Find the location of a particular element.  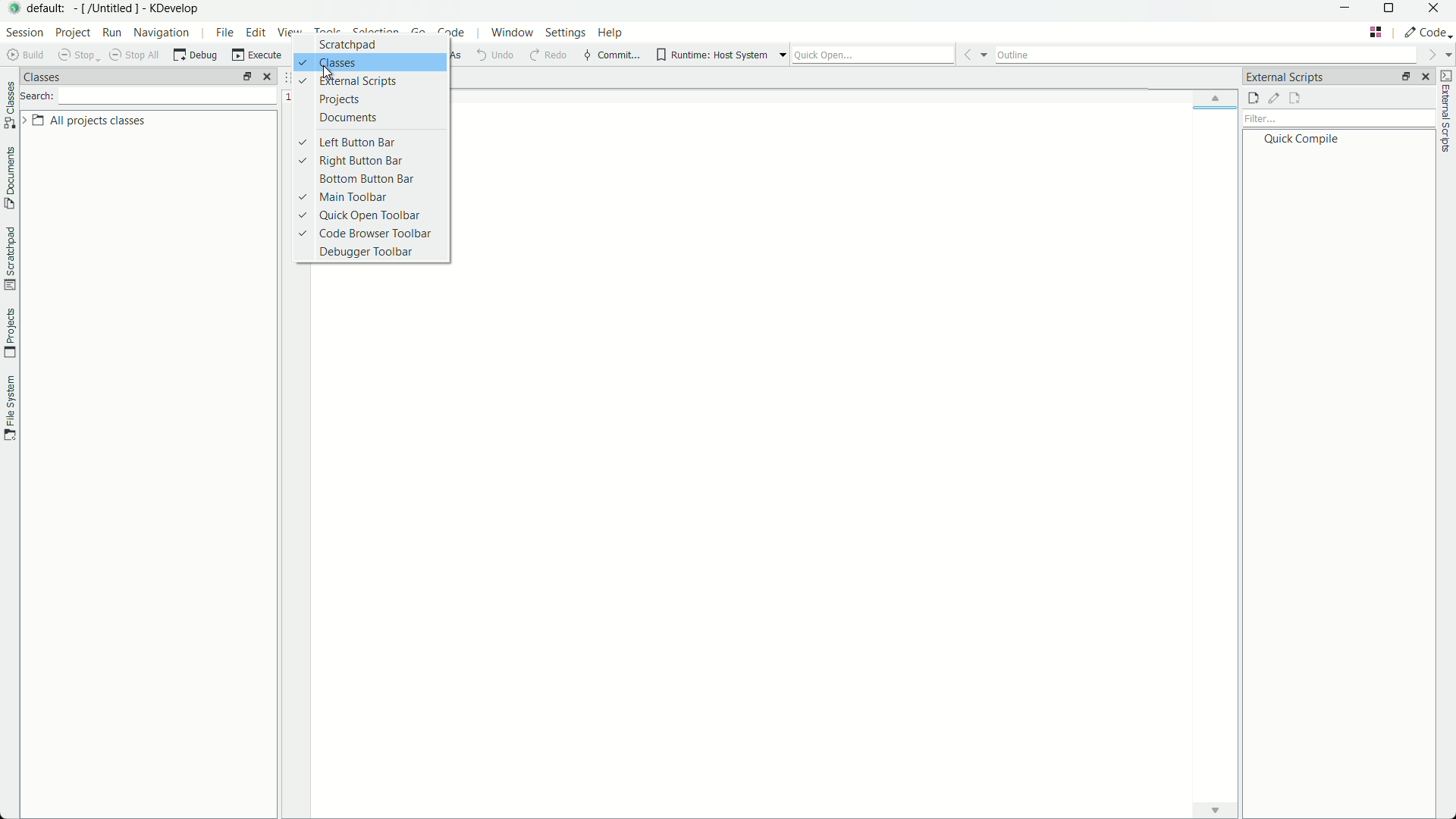

classes is located at coordinates (11, 104).